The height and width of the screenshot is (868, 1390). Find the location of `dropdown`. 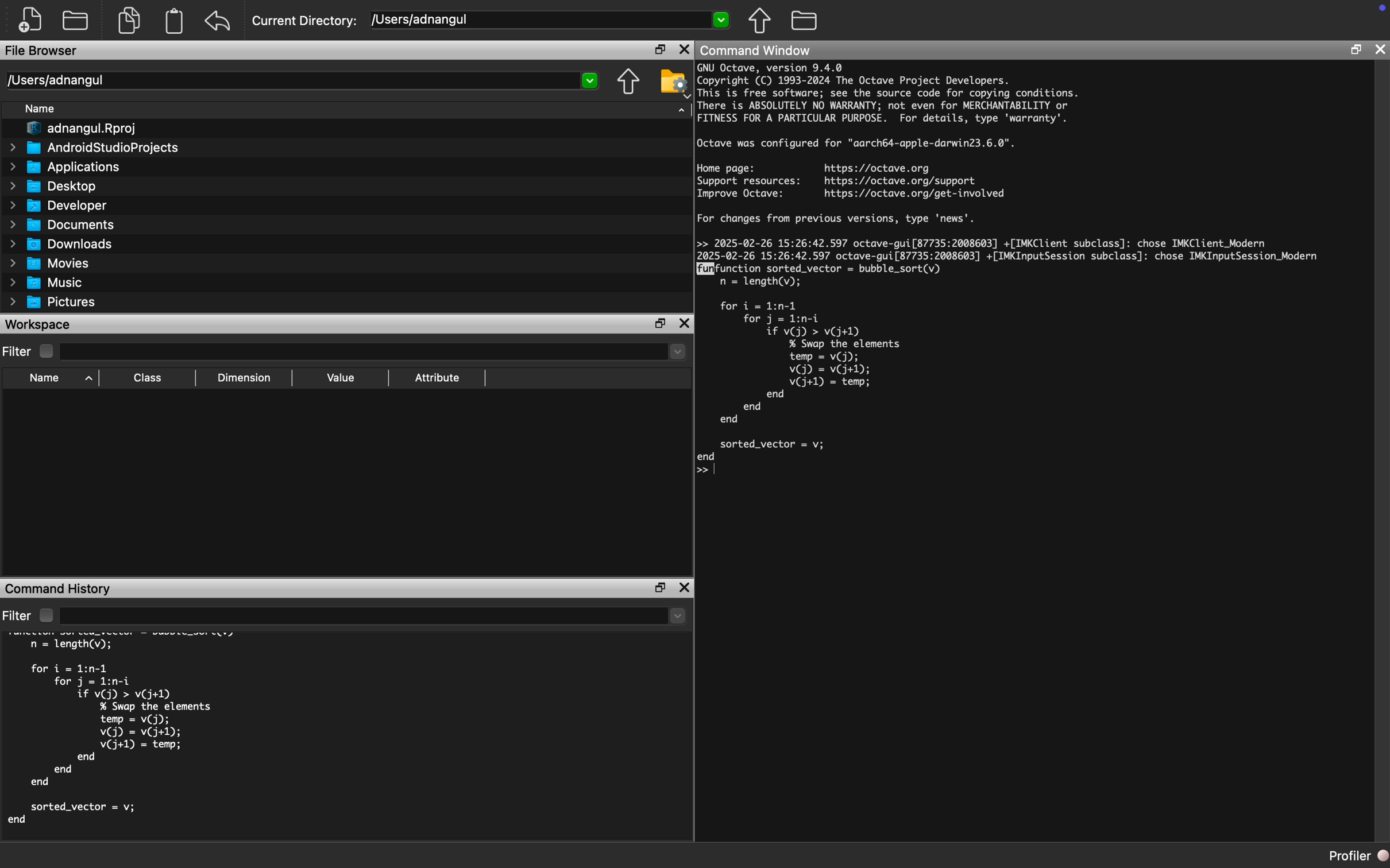

dropdown is located at coordinates (374, 615).